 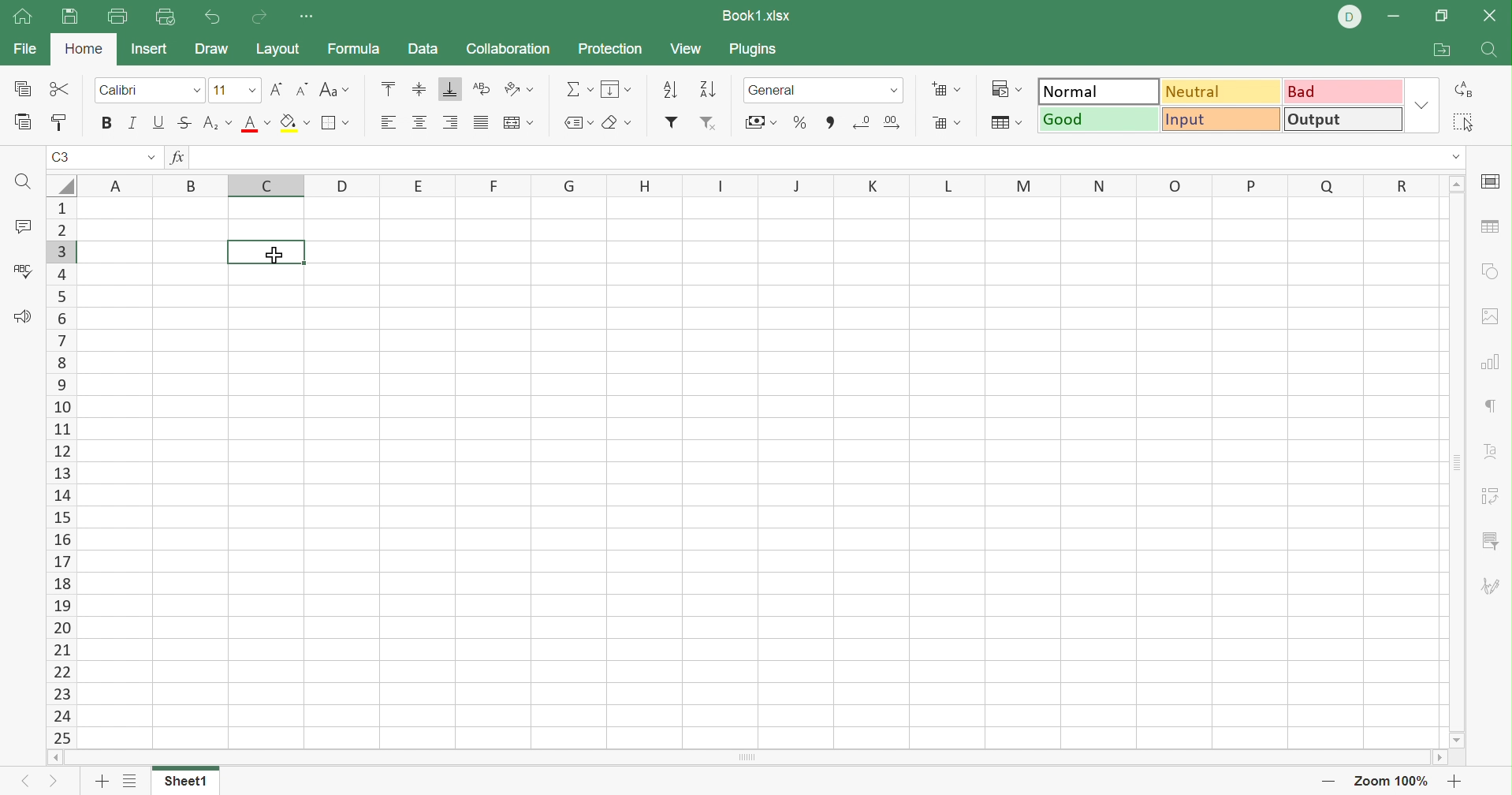 What do you see at coordinates (153, 50) in the screenshot?
I see `Insert` at bounding box center [153, 50].